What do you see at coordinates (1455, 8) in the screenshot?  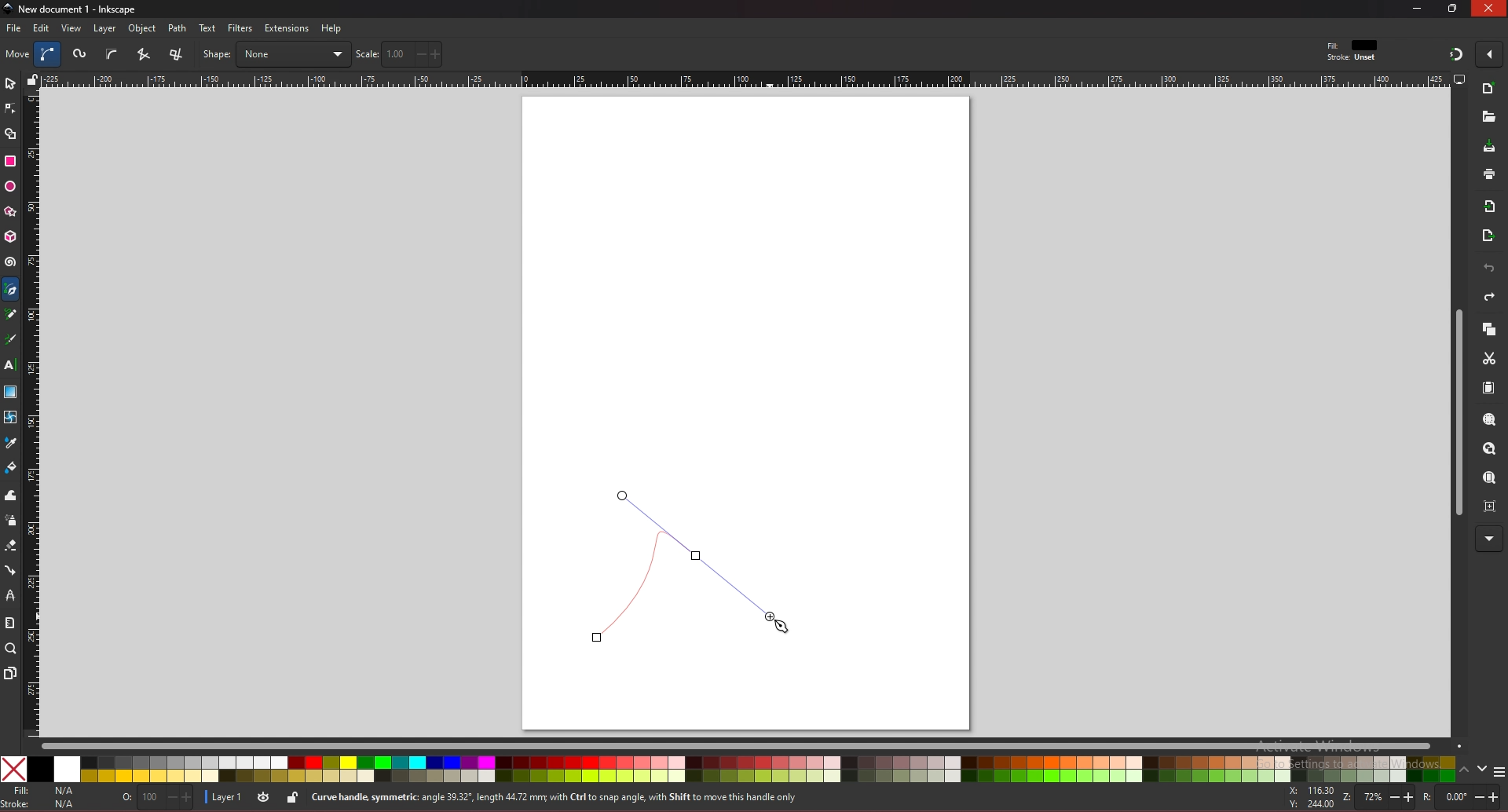 I see `resize` at bounding box center [1455, 8].